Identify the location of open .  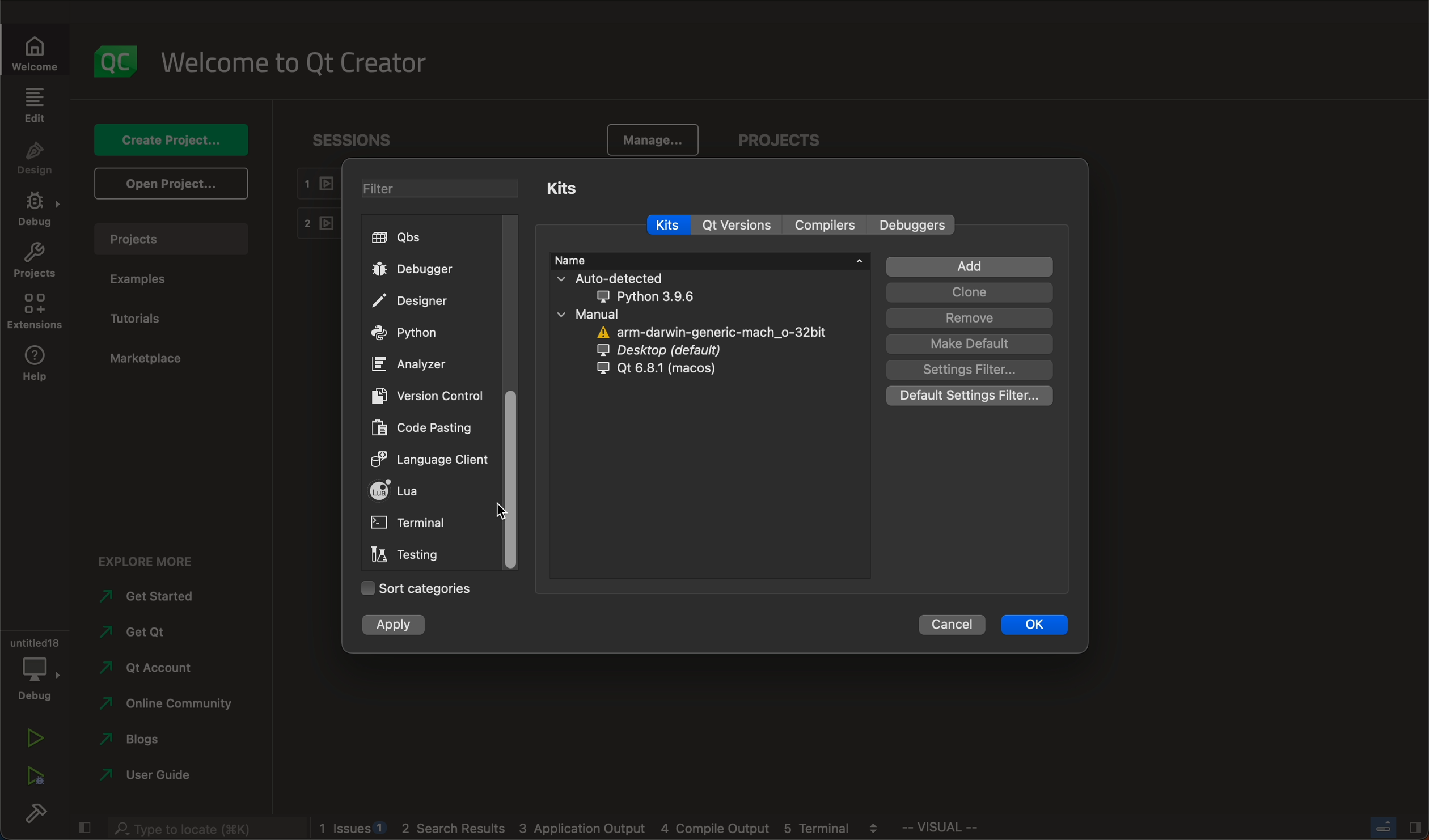
(168, 184).